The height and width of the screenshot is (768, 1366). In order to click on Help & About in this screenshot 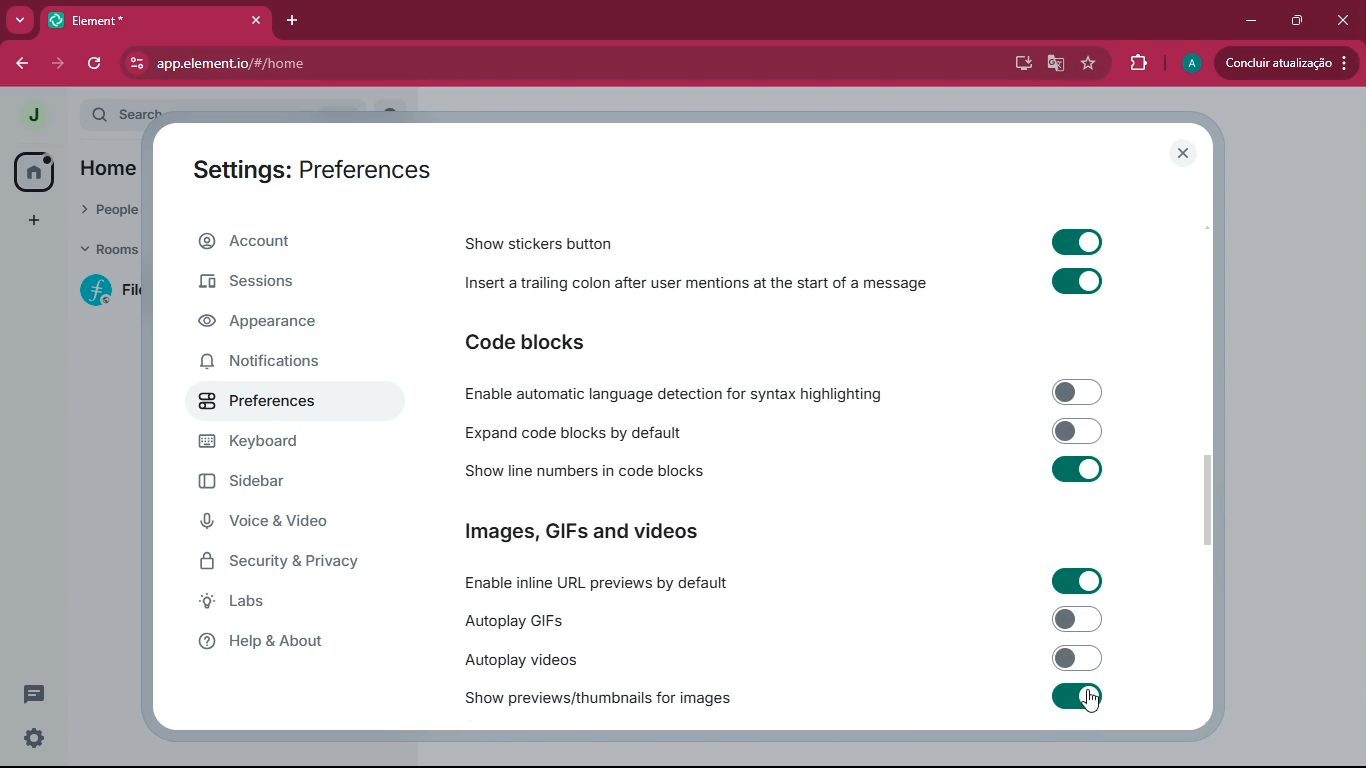, I will do `click(288, 640)`.